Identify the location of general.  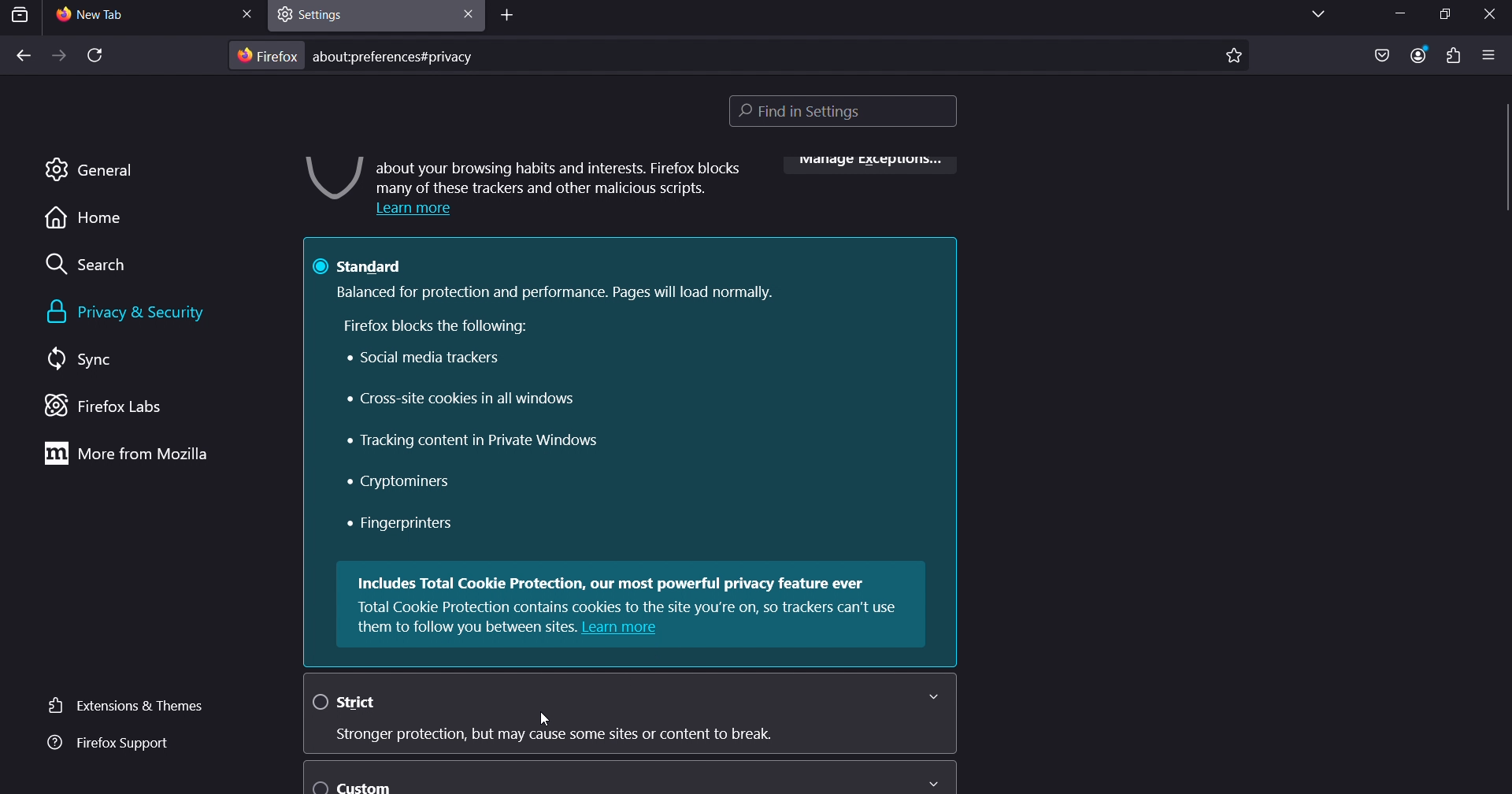
(89, 168).